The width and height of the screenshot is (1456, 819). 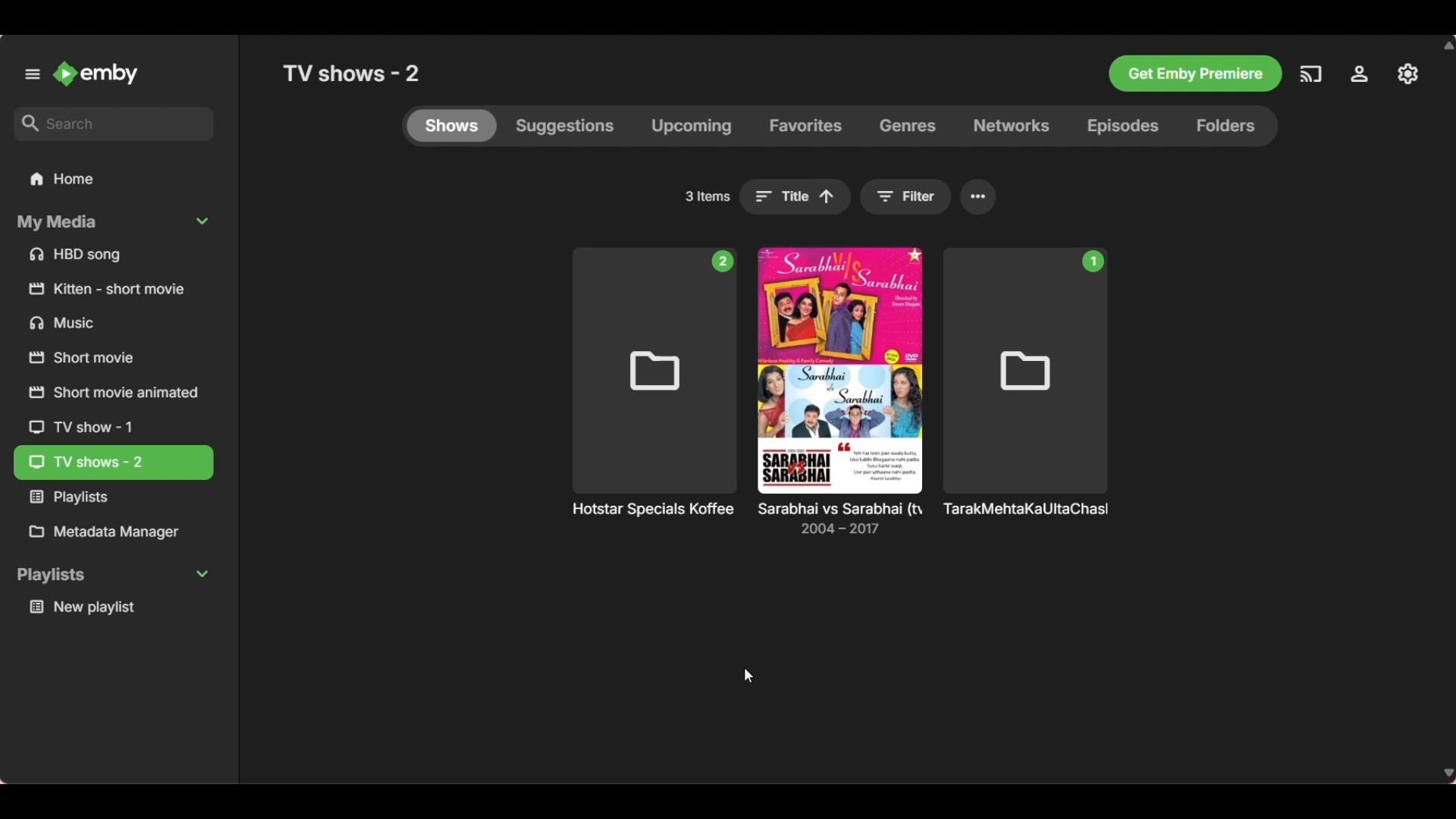 What do you see at coordinates (89, 427) in the screenshot?
I see `` at bounding box center [89, 427].